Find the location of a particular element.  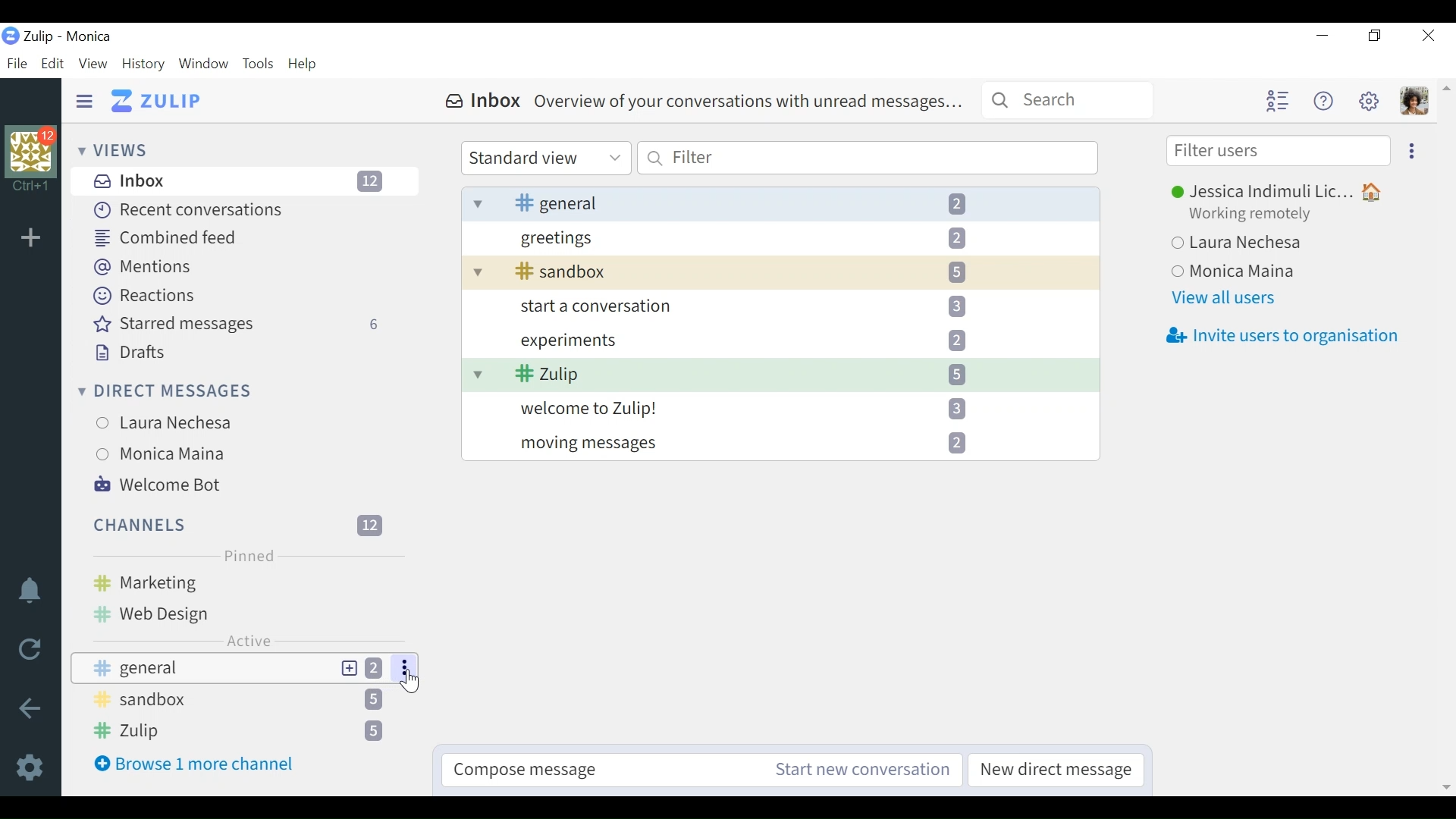

General 2 is located at coordinates (781, 202).